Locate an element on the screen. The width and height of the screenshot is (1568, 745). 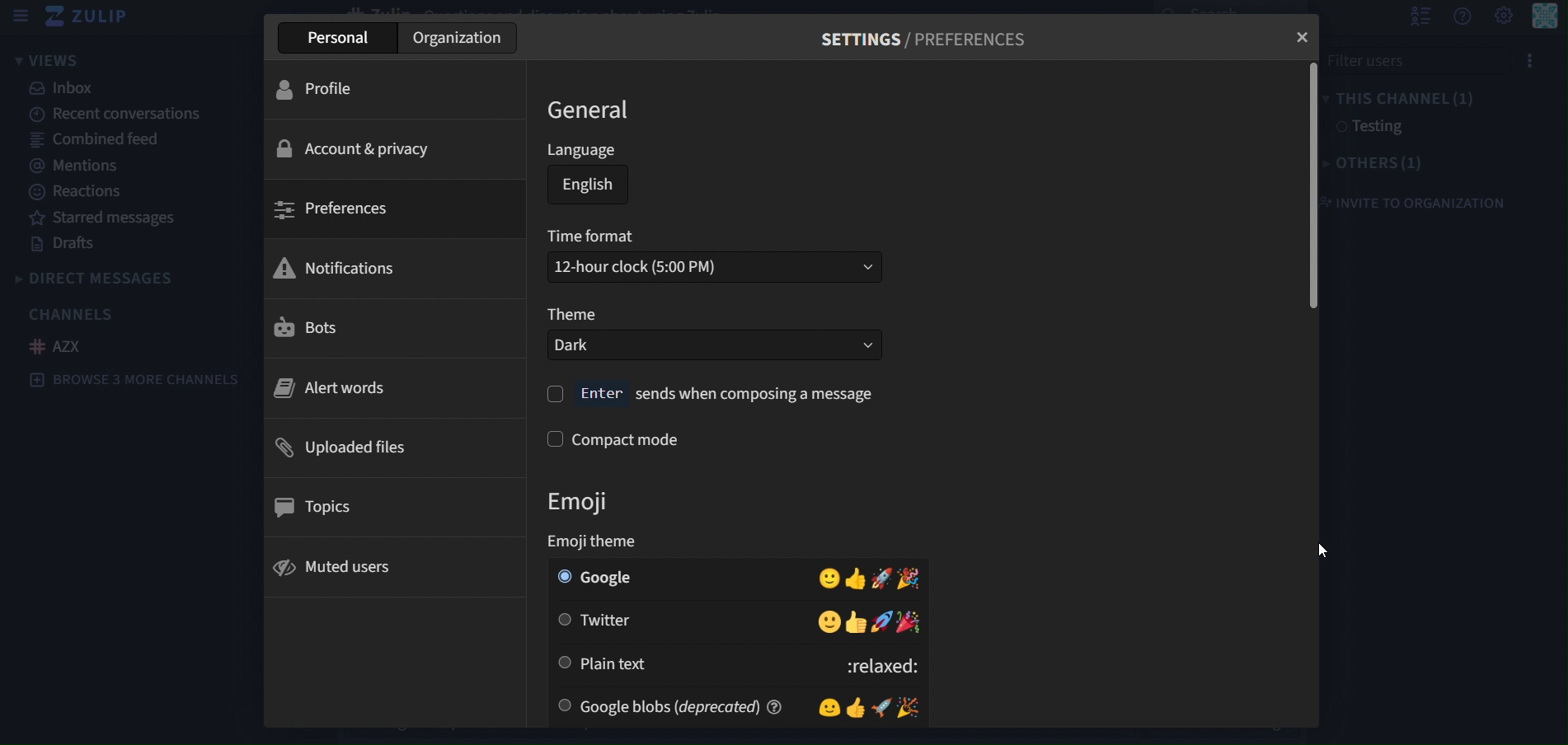
File User is located at coordinates (1414, 61).